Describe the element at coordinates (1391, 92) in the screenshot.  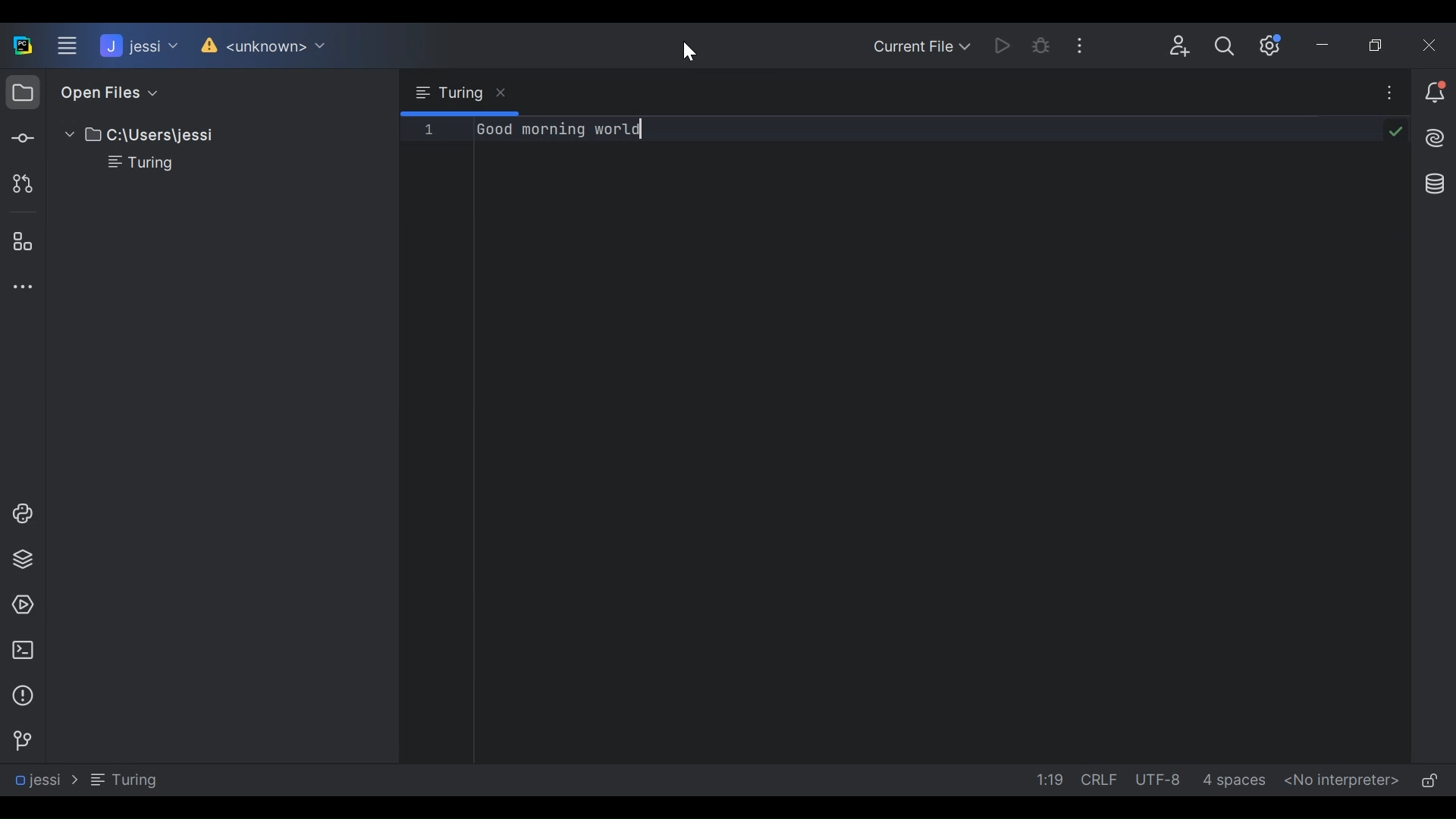
I see `More Options` at that location.